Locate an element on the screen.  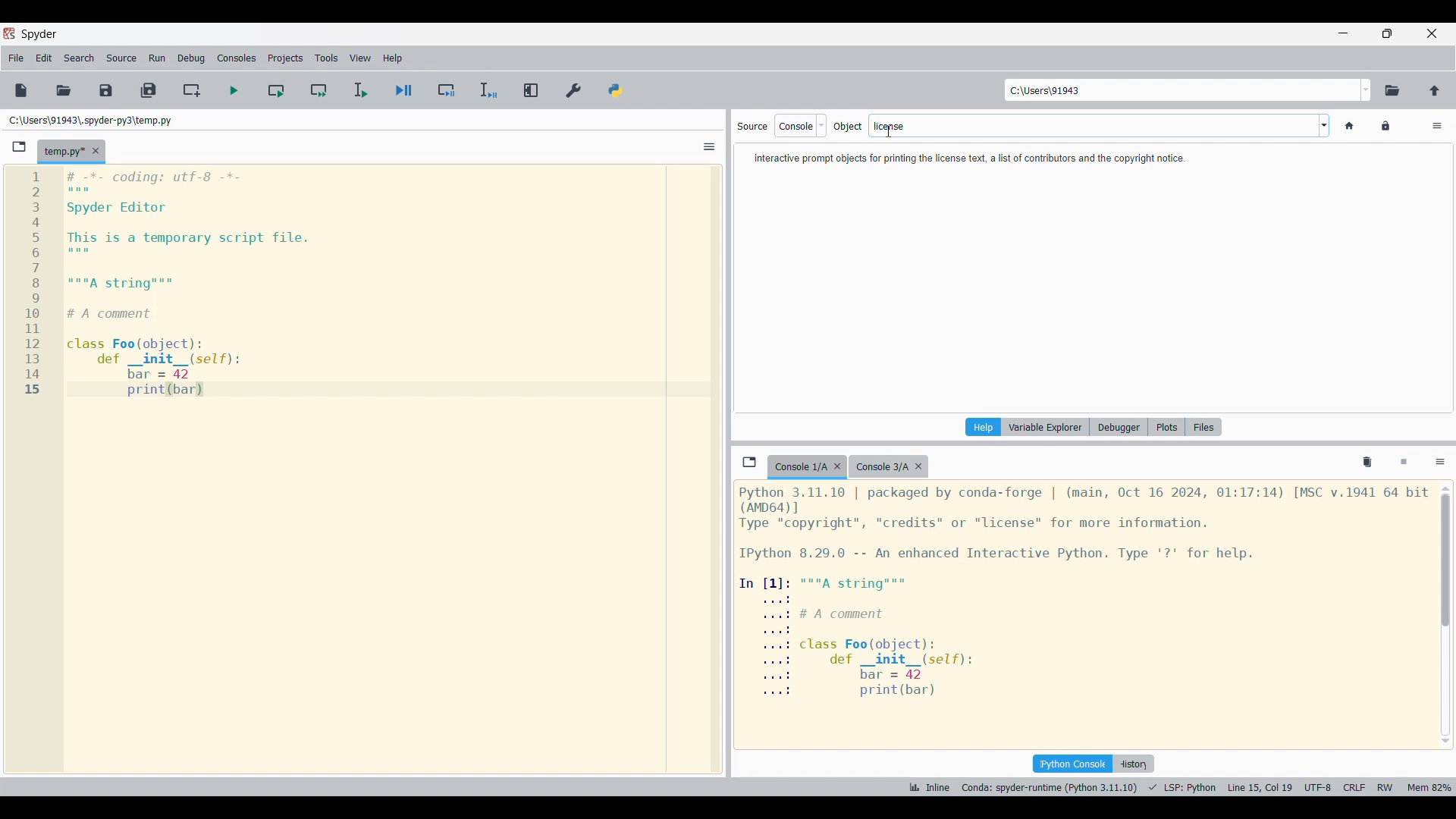
Close tab is located at coordinates (837, 466).